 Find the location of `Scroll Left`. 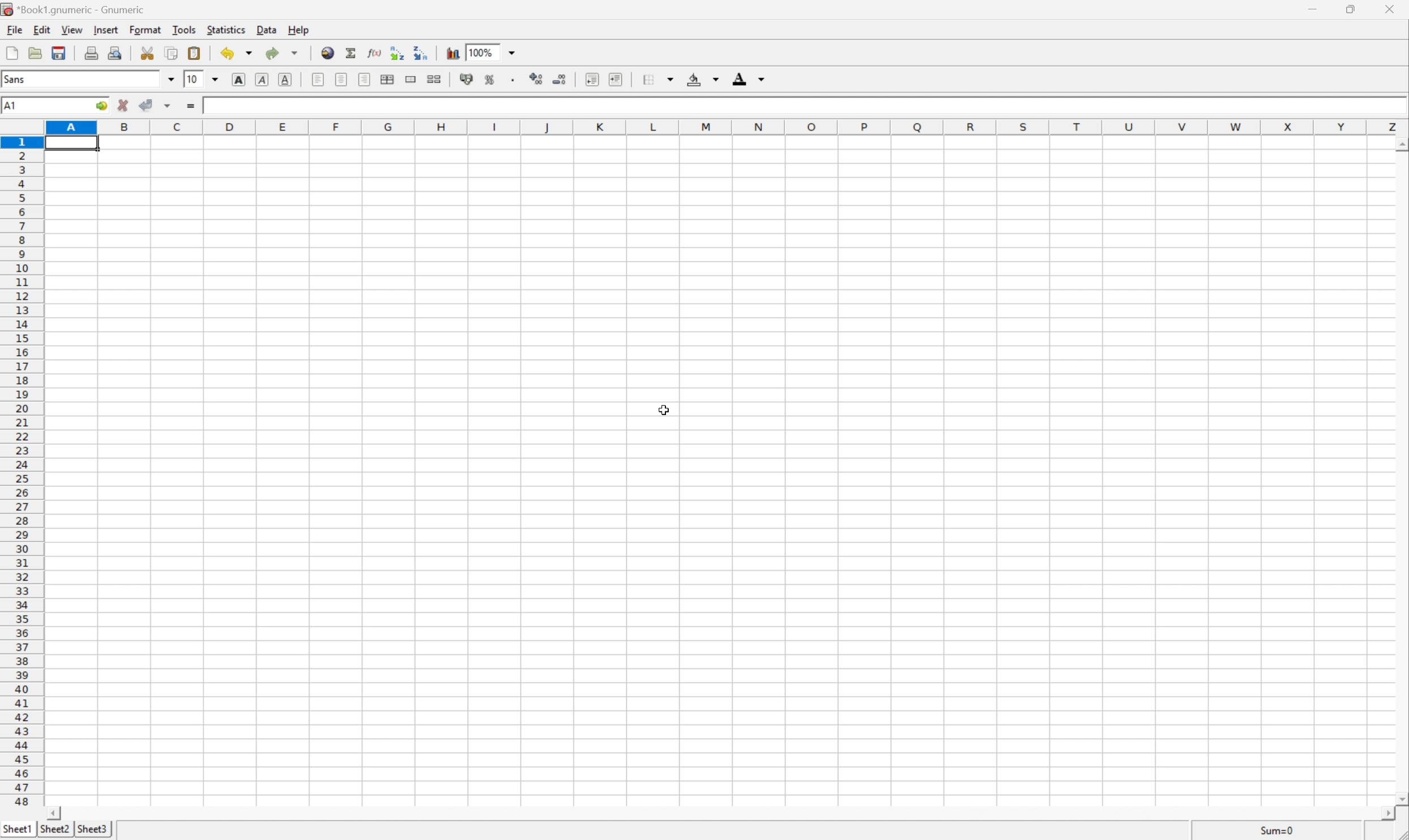

Scroll Left is located at coordinates (55, 813).